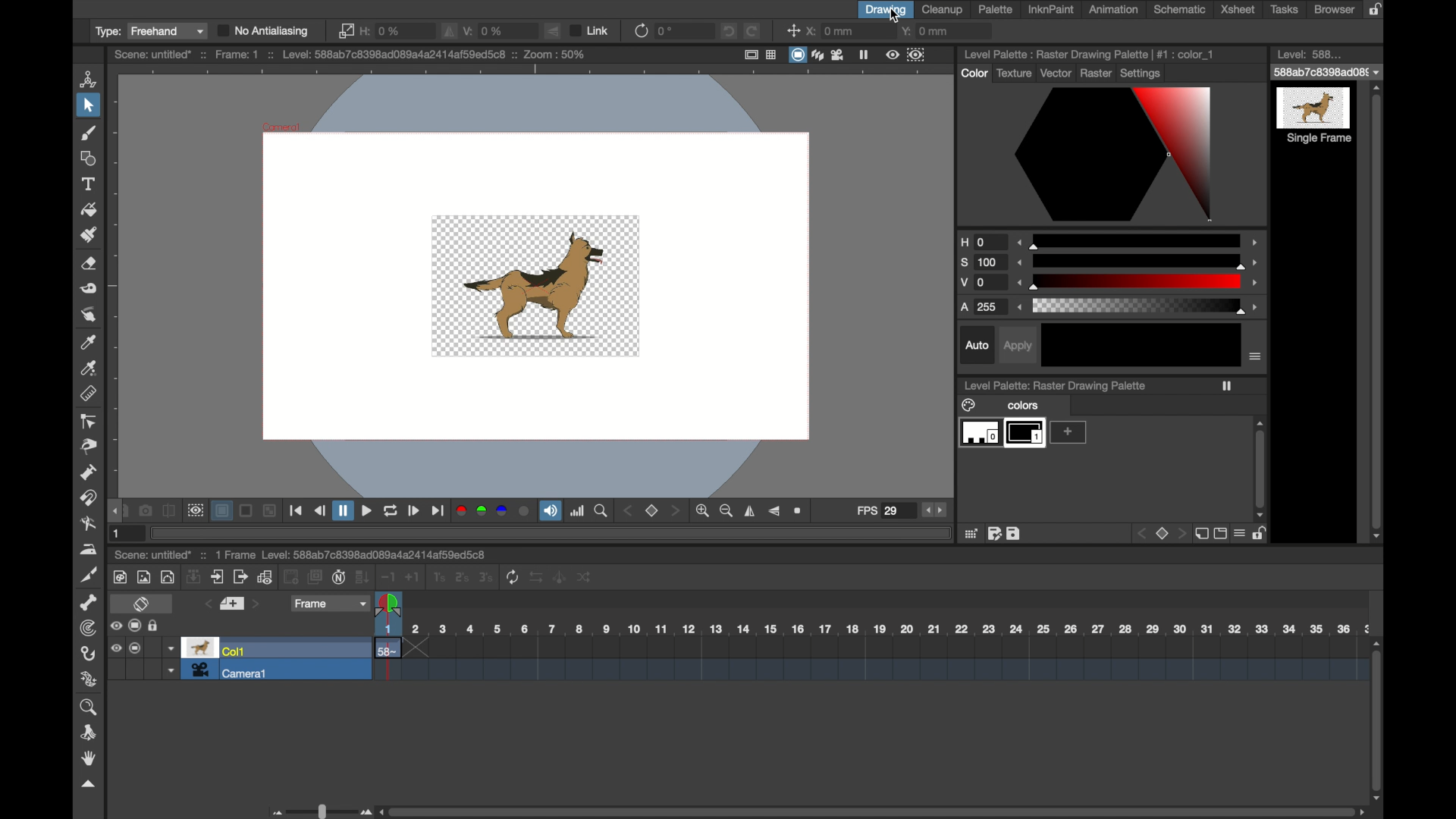  I want to click on color channels, so click(492, 511).